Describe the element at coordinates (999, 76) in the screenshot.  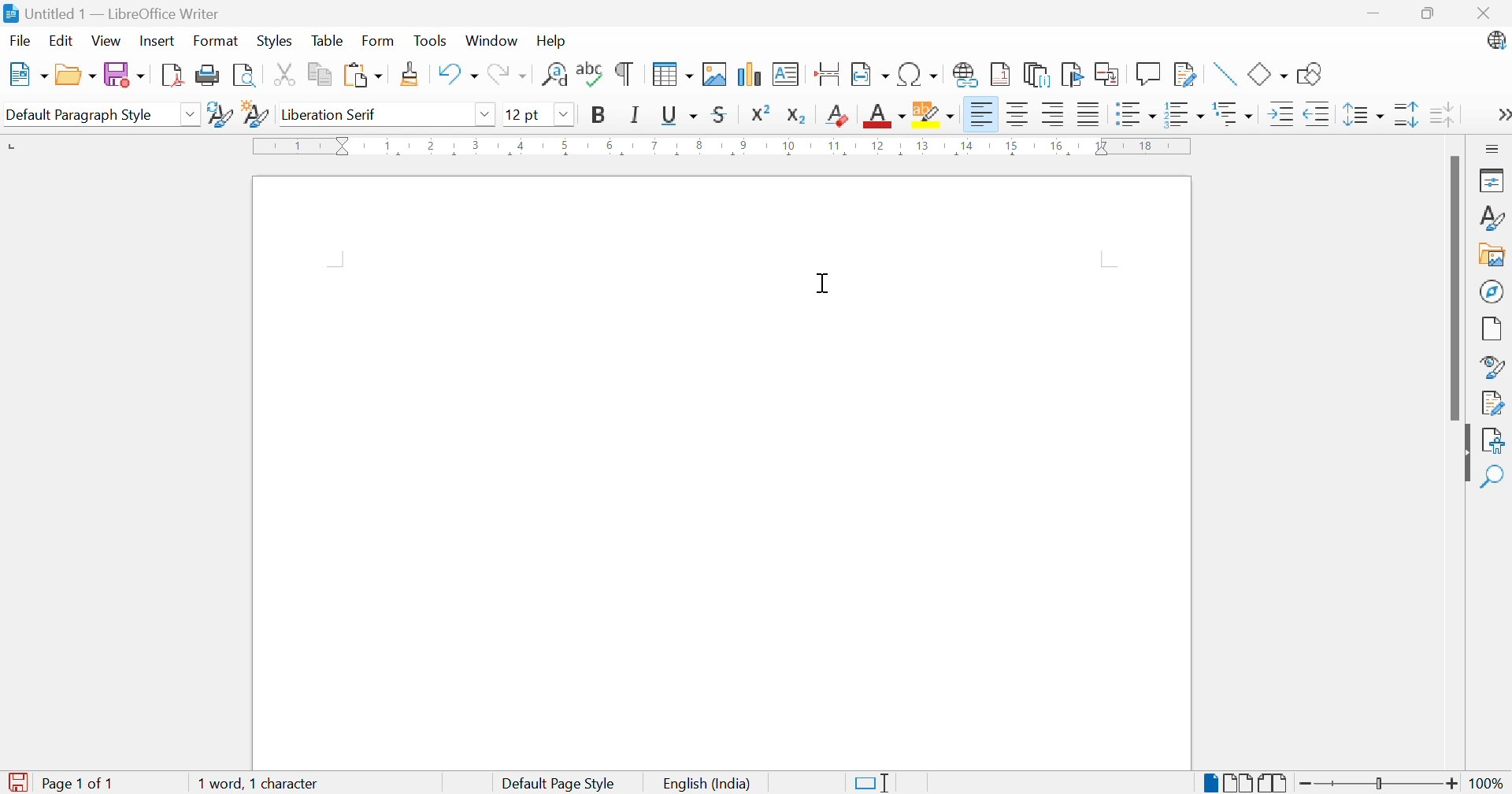
I see `Insert Footnote` at that location.